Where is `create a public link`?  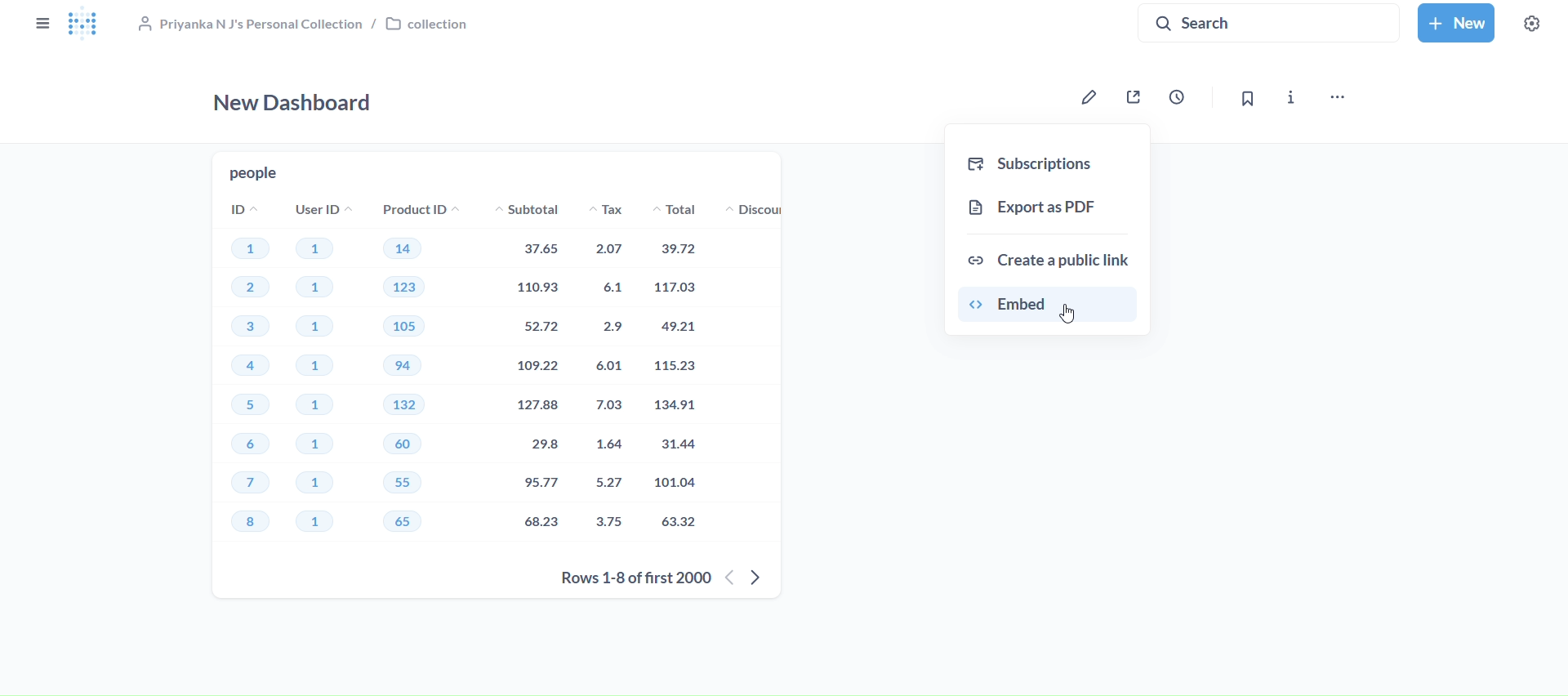
create a public link is located at coordinates (1049, 258).